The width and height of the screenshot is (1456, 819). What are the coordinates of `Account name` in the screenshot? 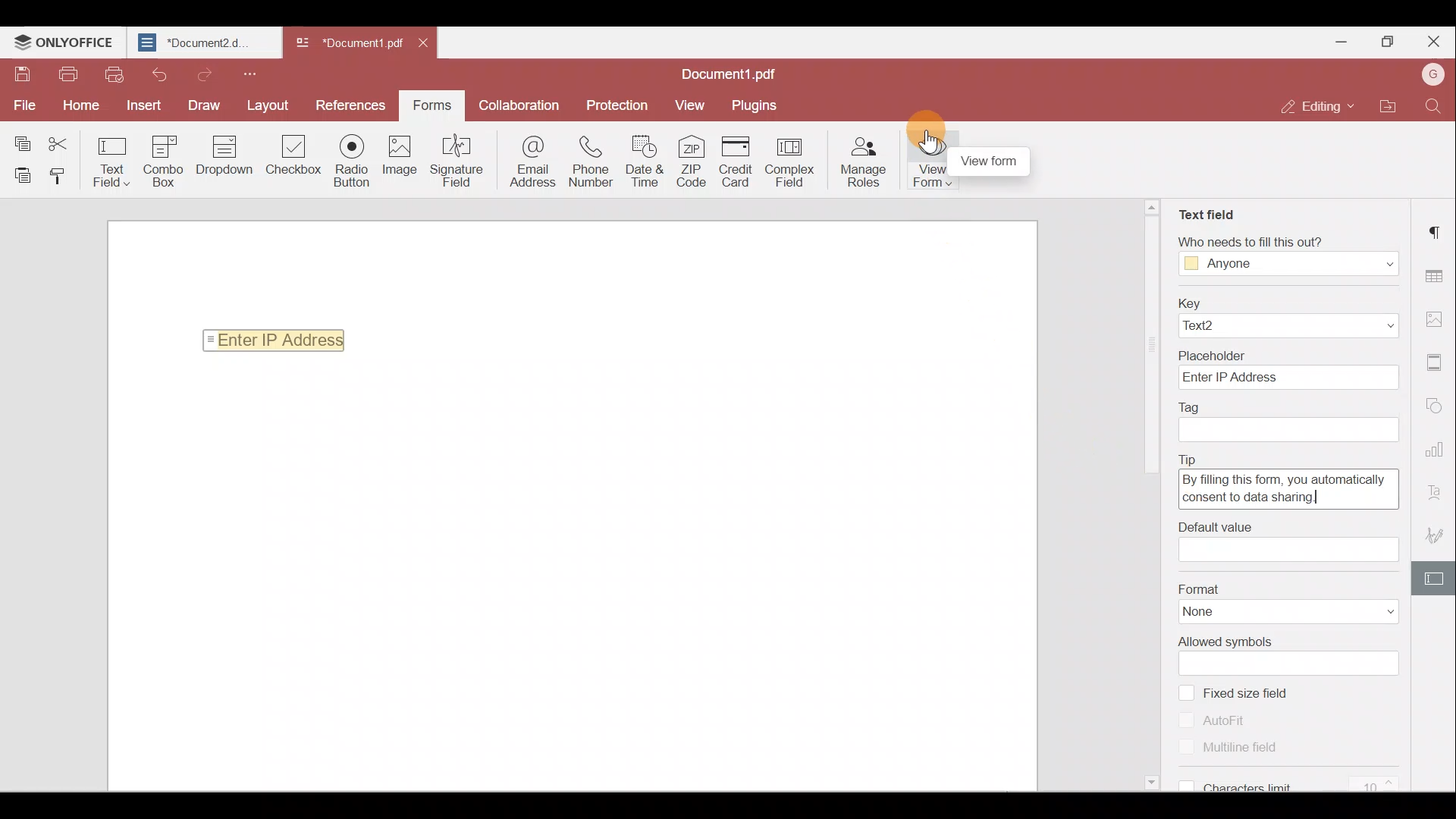 It's located at (1432, 73).